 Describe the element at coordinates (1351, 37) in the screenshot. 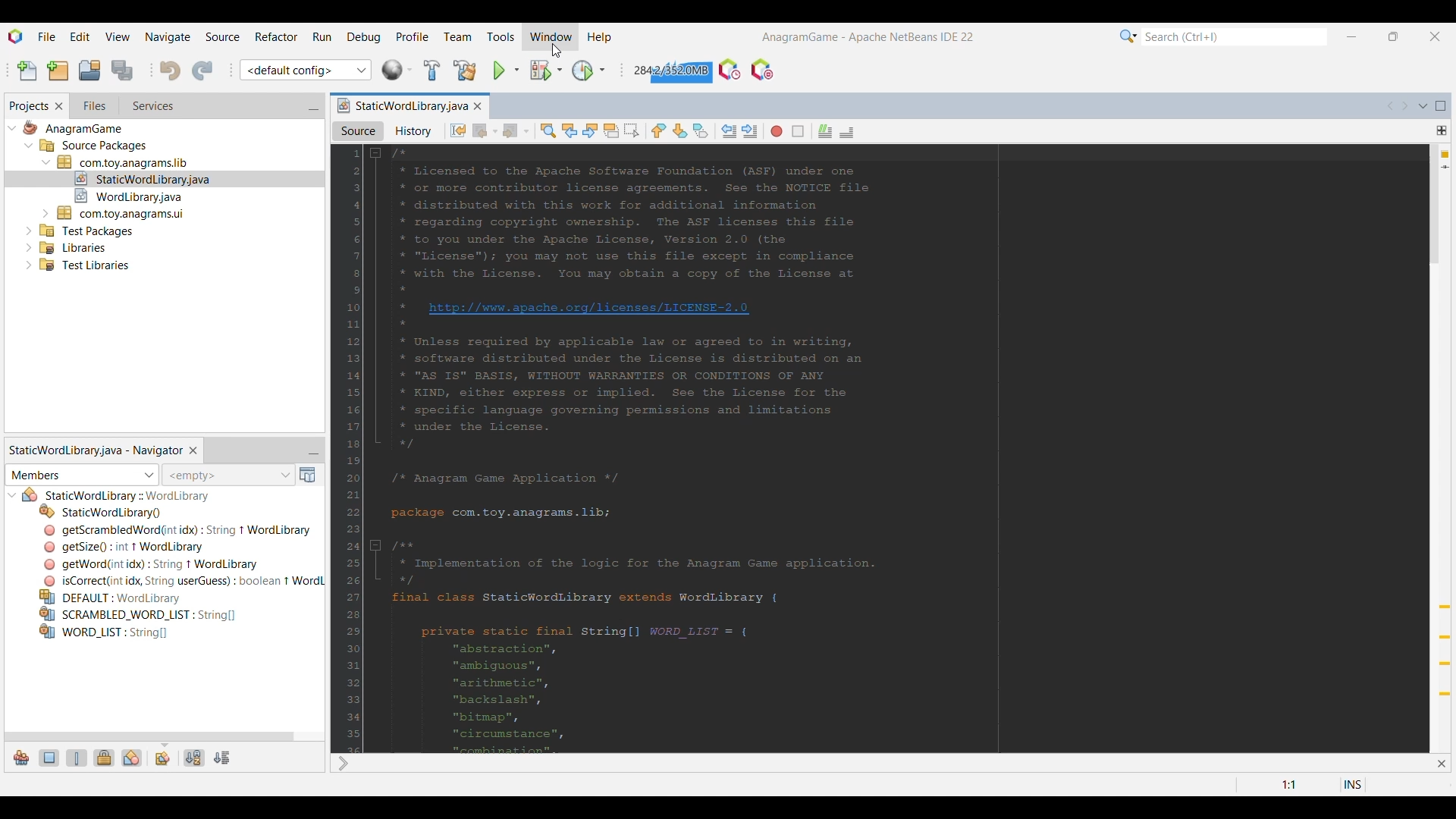

I see `Minimize` at that location.